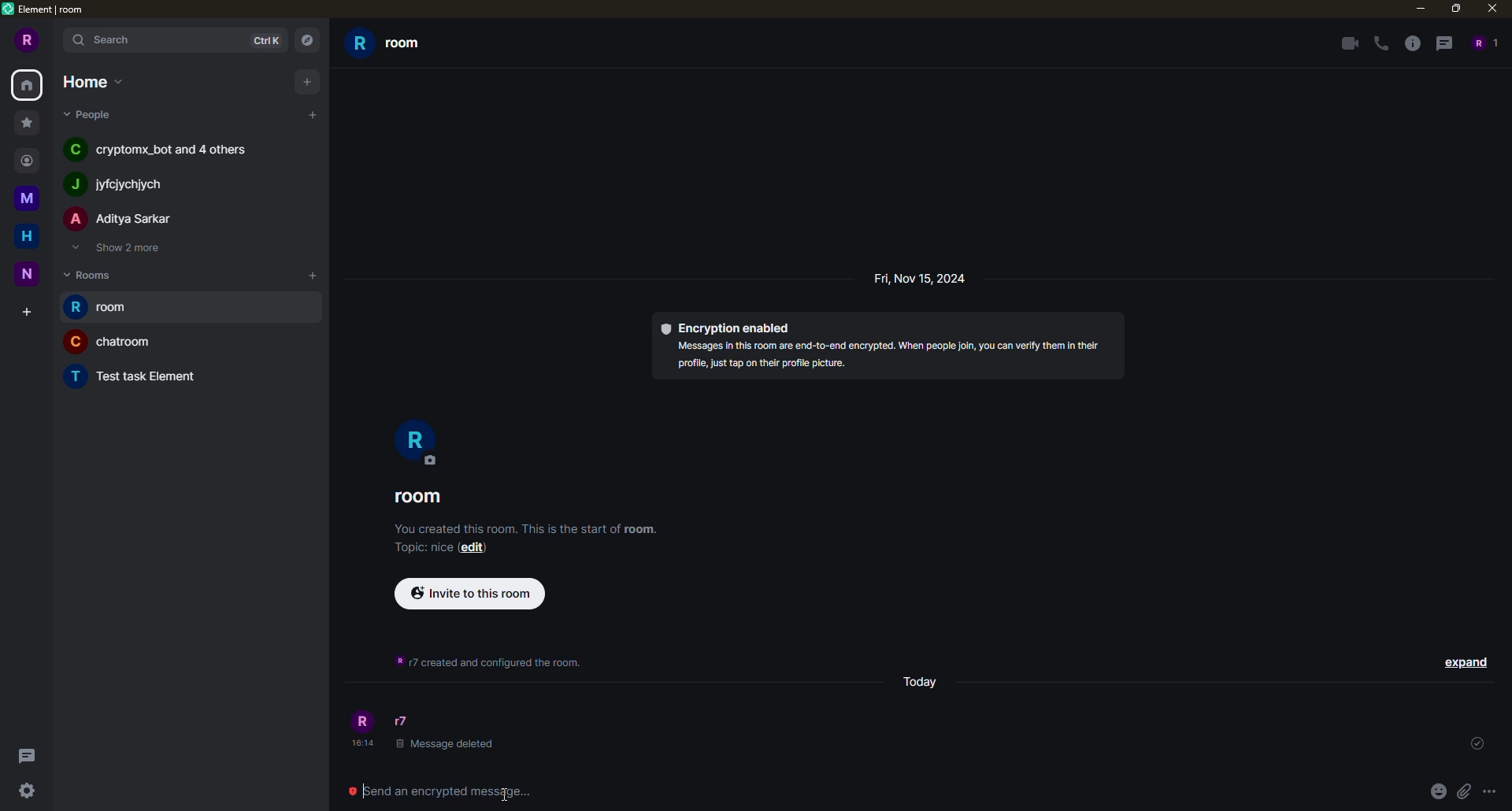 The image size is (1512, 811). Describe the element at coordinates (49, 12) in the screenshot. I see `element` at that location.